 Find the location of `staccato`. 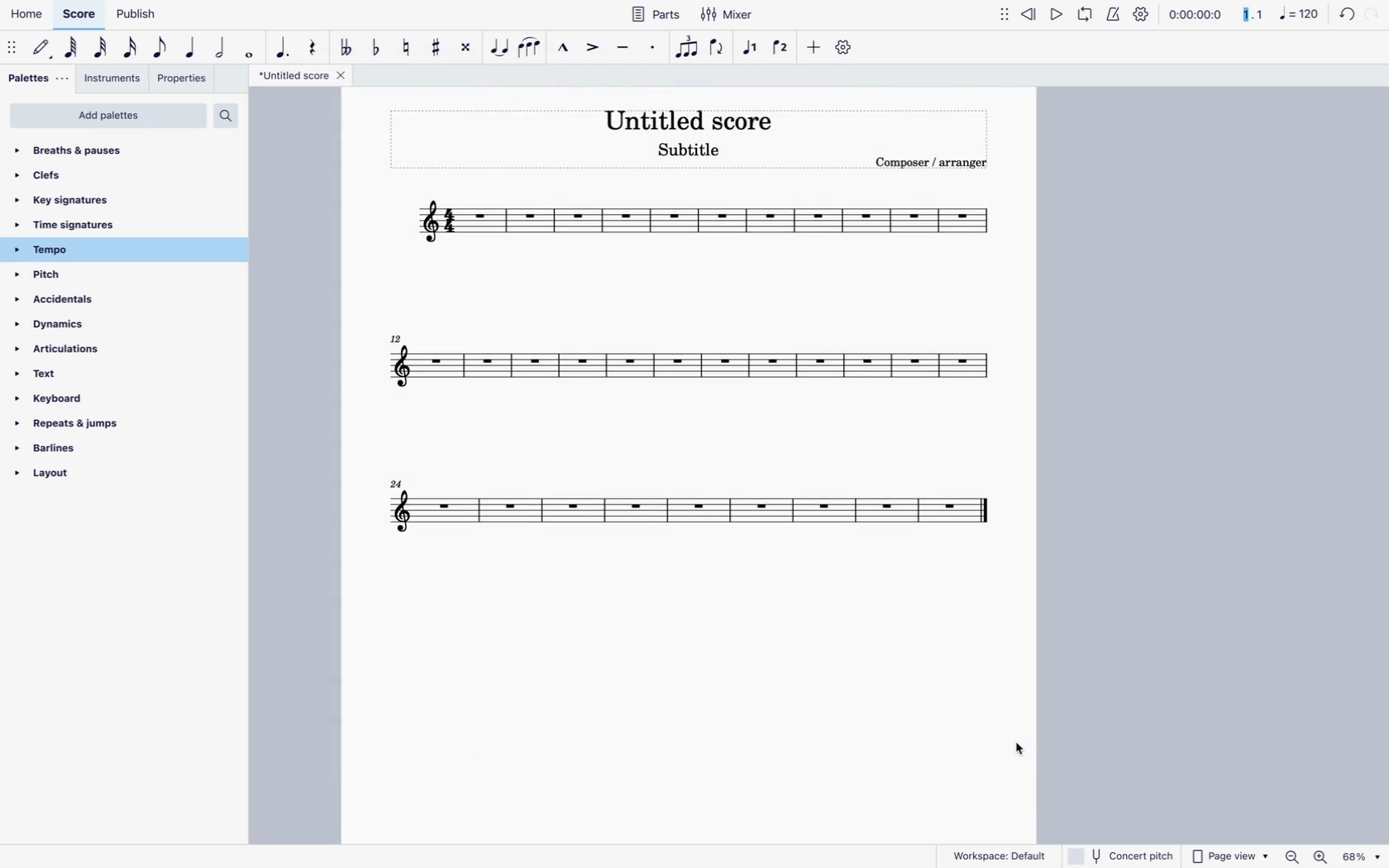

staccato is located at coordinates (655, 50).